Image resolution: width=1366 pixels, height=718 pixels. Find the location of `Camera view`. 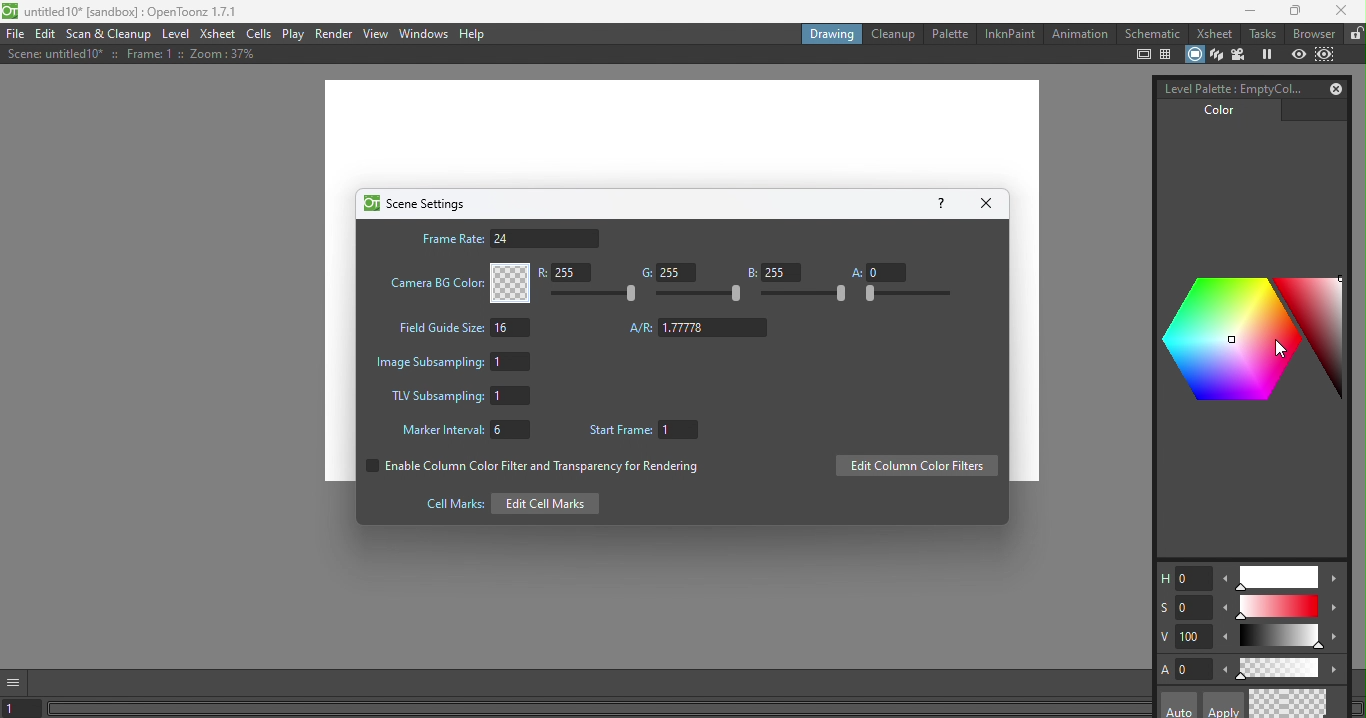

Camera view is located at coordinates (1241, 54).